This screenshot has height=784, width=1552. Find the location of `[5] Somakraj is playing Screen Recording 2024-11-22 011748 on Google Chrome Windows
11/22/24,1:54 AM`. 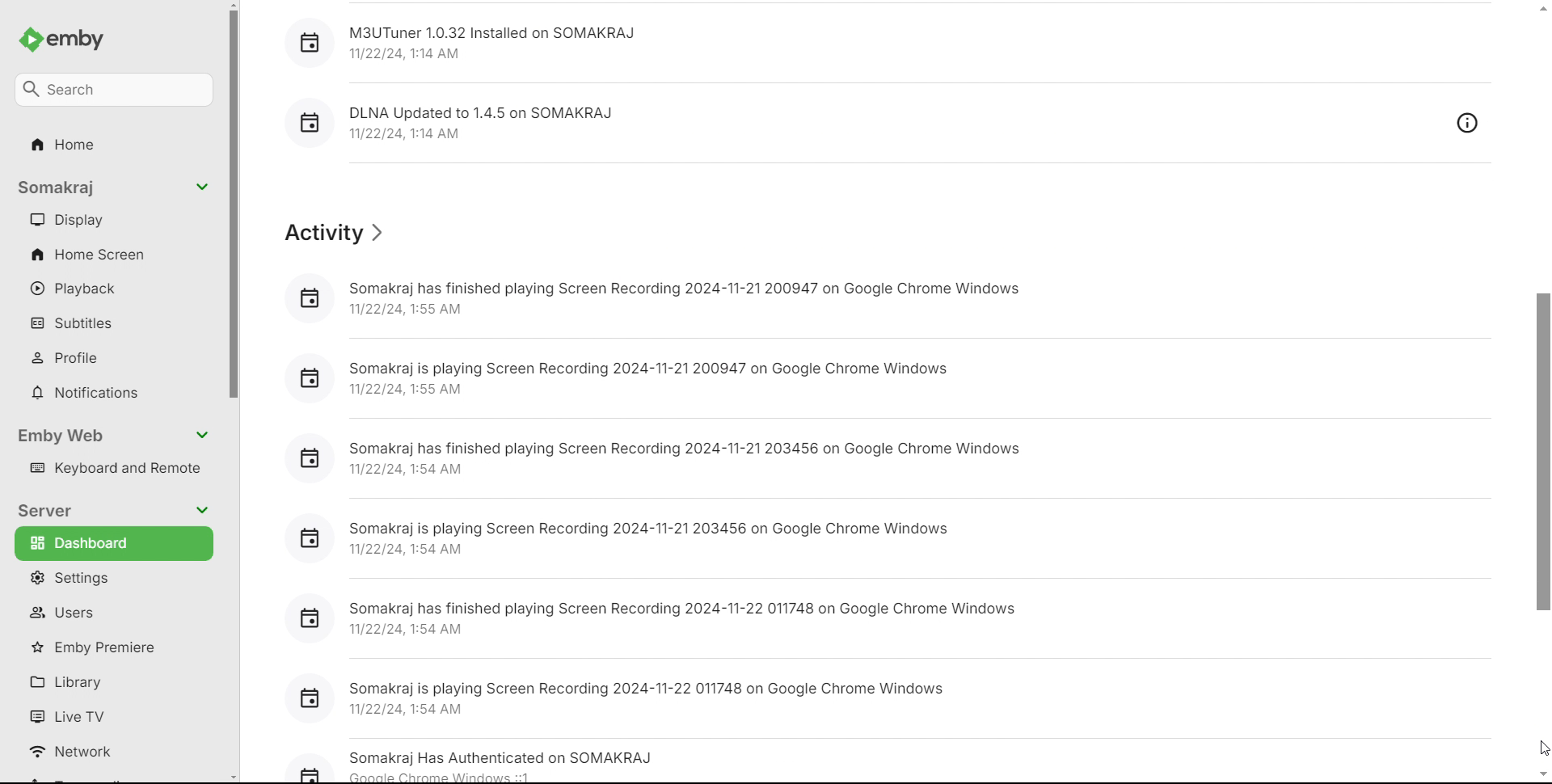

[5] Somakraj is playing Screen Recording 2024-11-22 011748 on Google Chrome Windows
11/22/24,1:54 AM is located at coordinates (619, 694).